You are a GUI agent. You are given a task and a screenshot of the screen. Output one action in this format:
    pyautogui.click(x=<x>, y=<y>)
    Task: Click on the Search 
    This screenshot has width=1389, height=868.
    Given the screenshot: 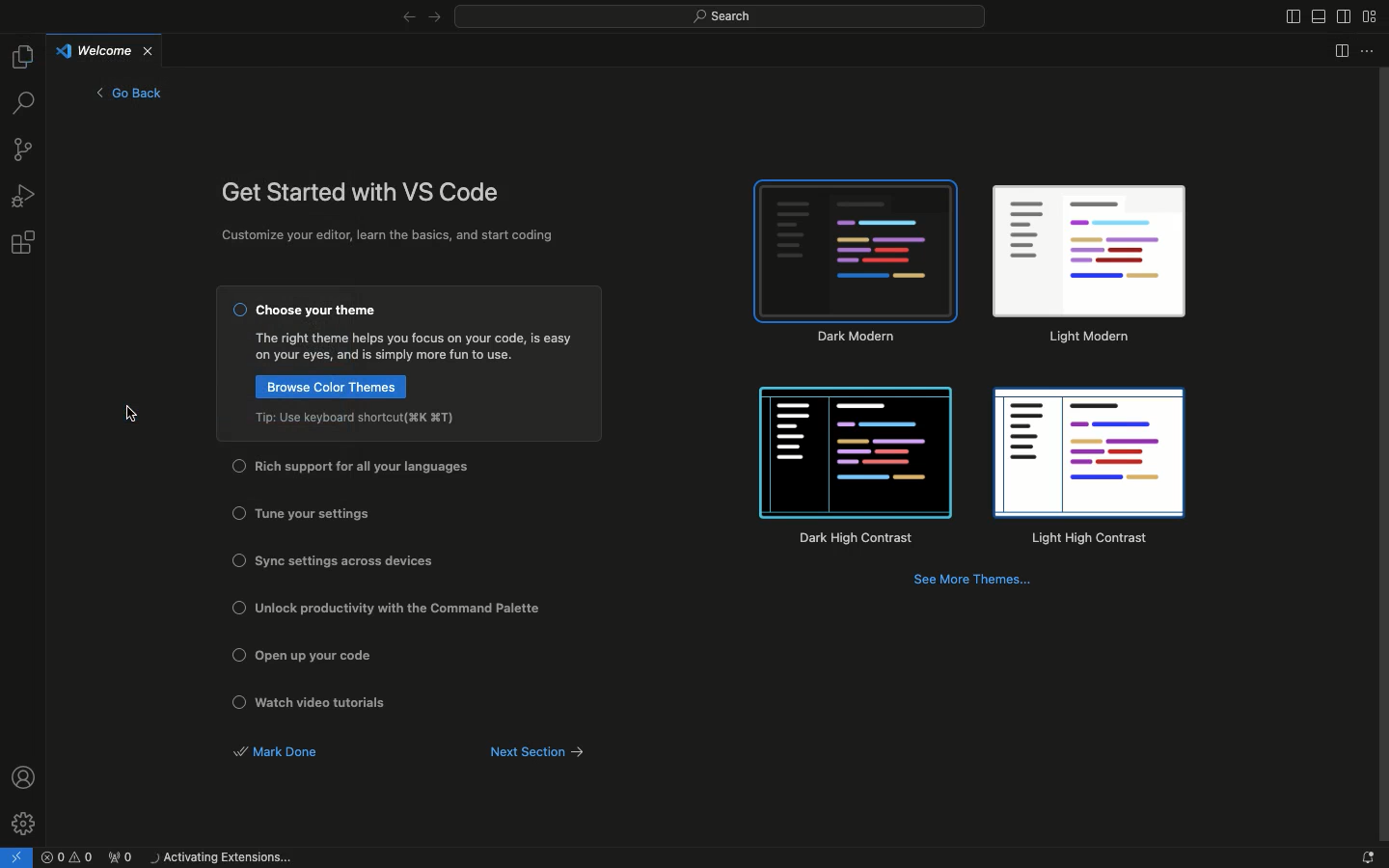 What is the action you would take?
    pyautogui.click(x=720, y=18)
    